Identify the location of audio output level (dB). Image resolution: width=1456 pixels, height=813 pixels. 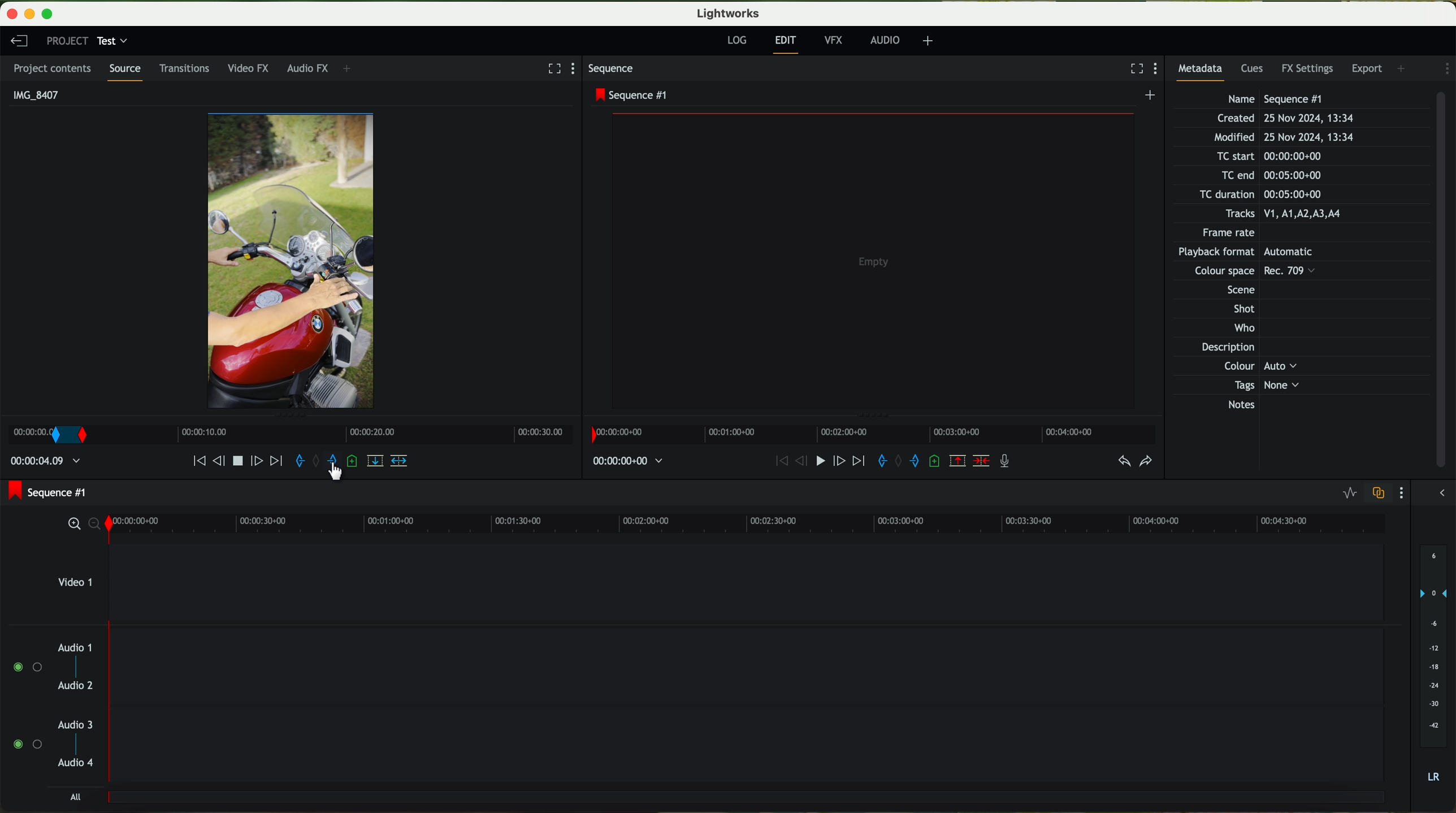
(1431, 663).